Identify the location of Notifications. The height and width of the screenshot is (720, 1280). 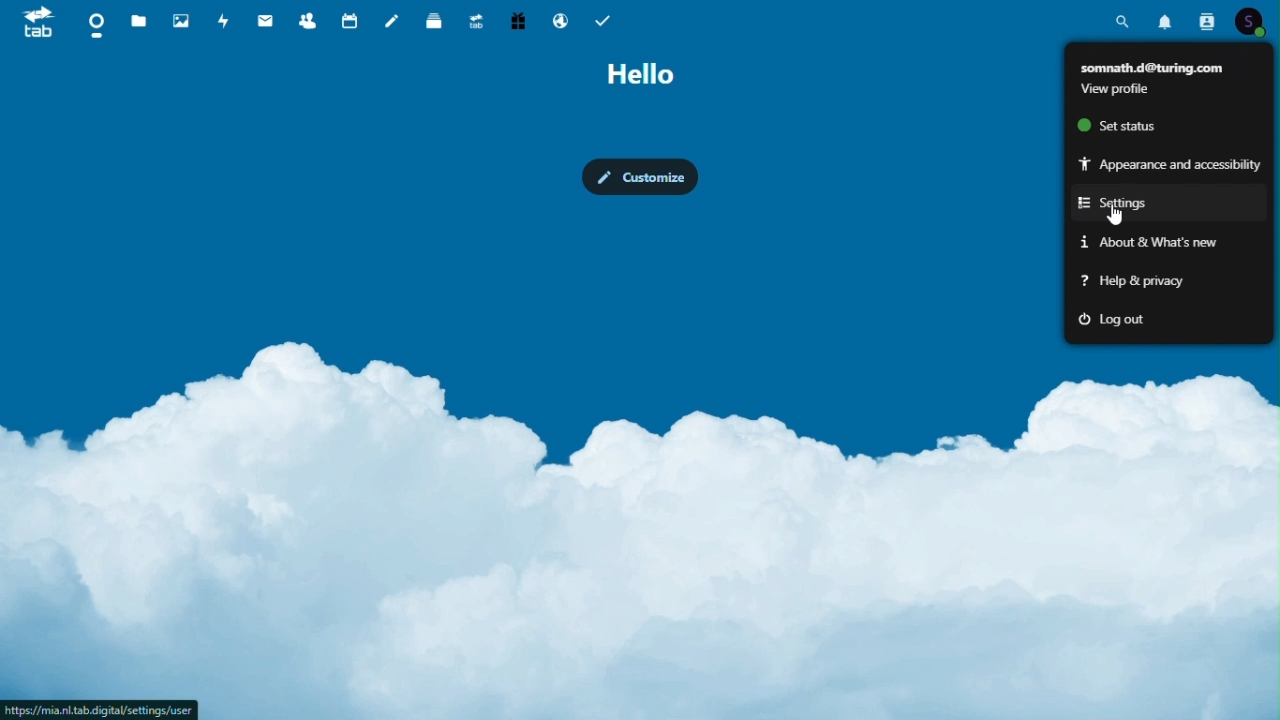
(1167, 17).